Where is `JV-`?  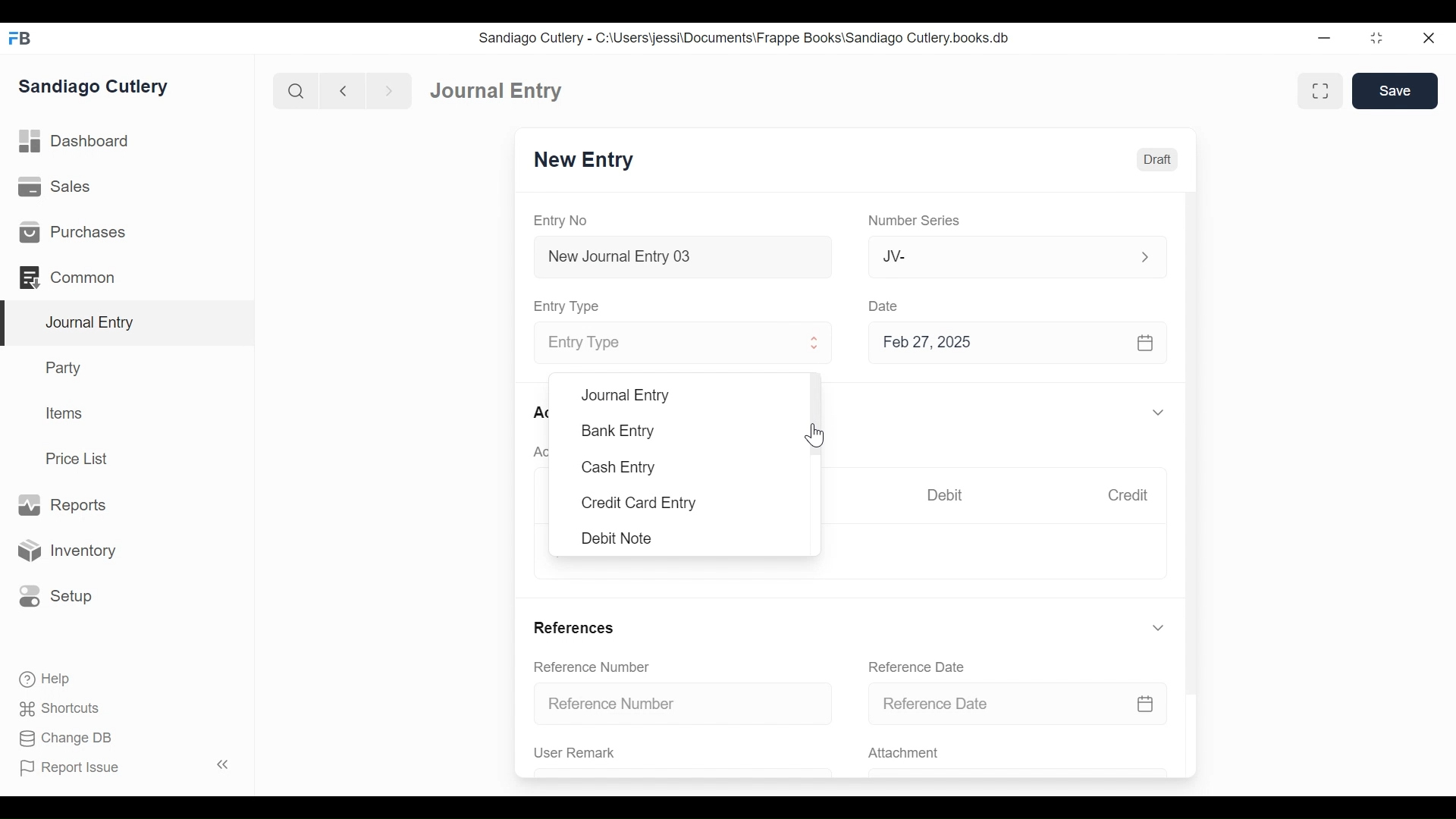
JV- is located at coordinates (990, 256).